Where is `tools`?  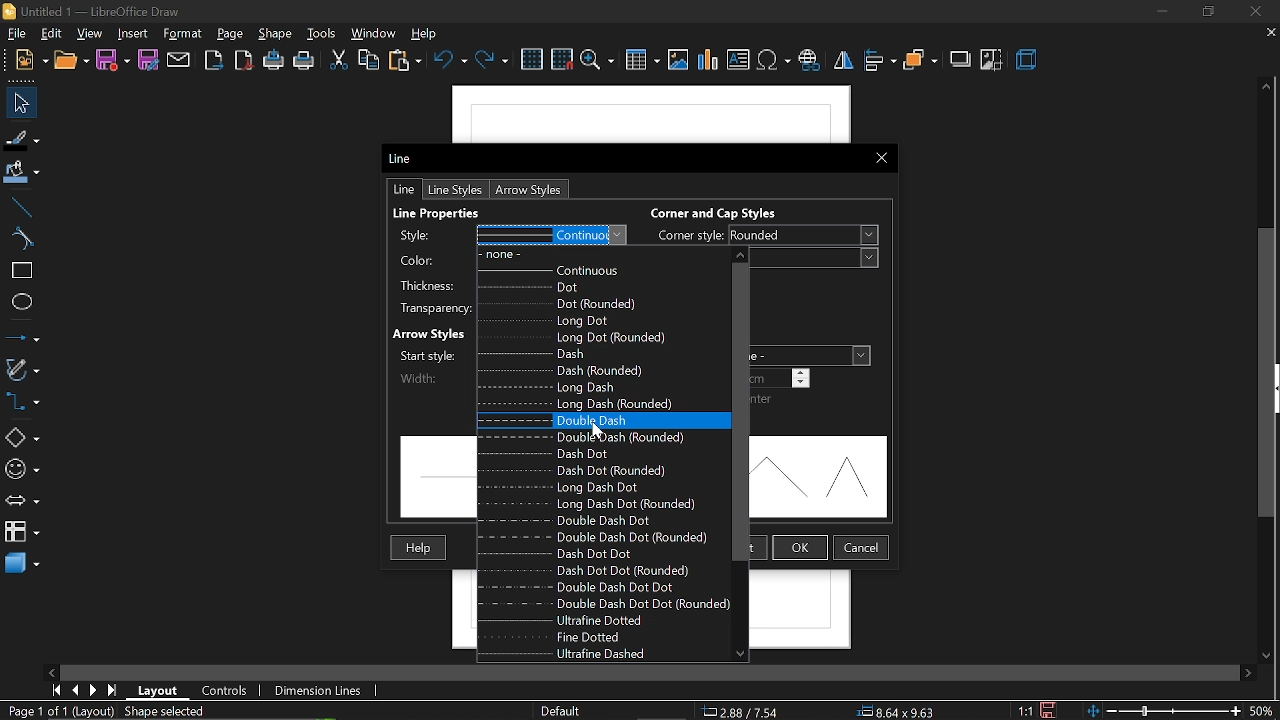
tools is located at coordinates (322, 34).